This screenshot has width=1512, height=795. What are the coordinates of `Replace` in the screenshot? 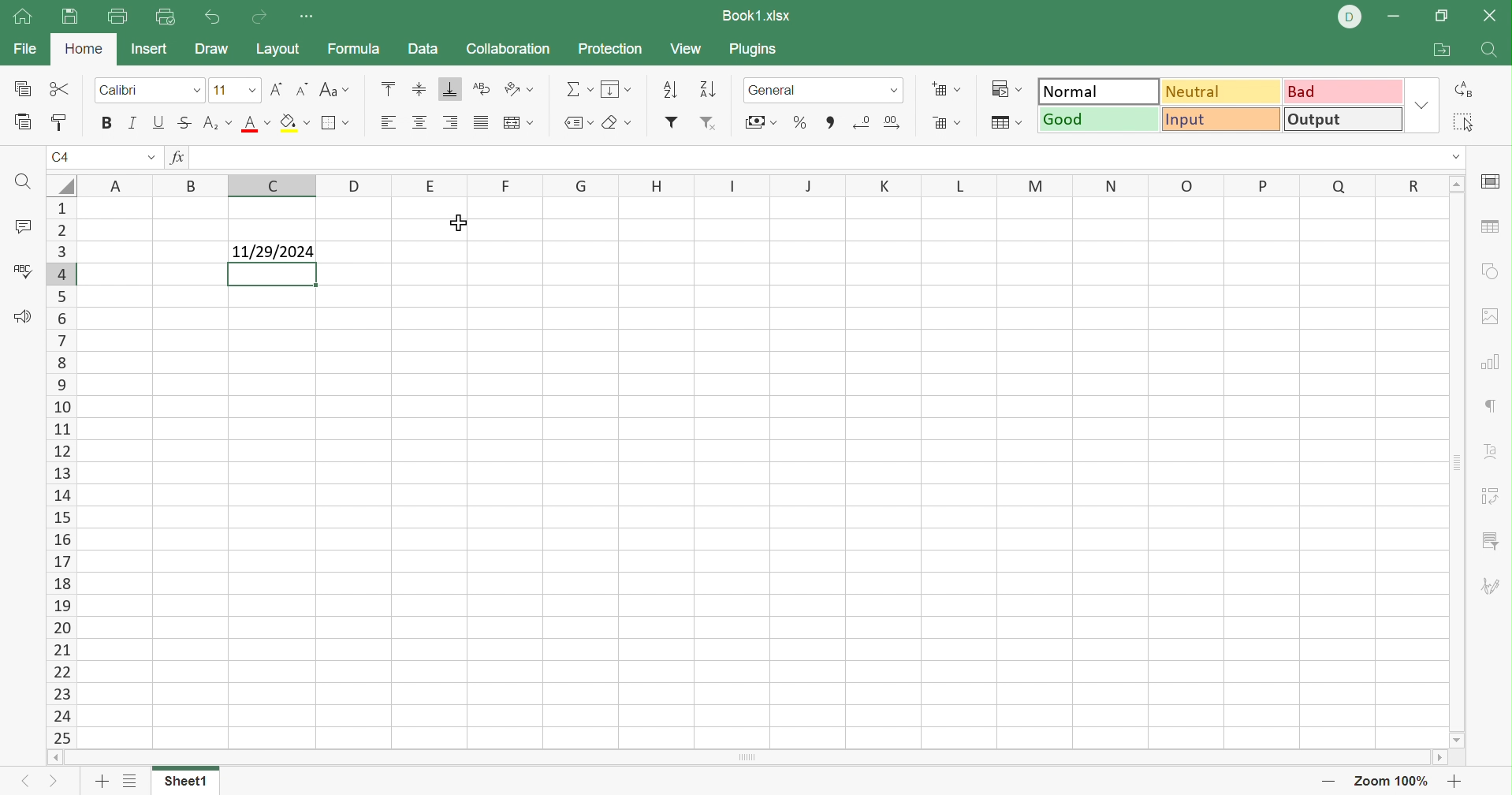 It's located at (1461, 88).